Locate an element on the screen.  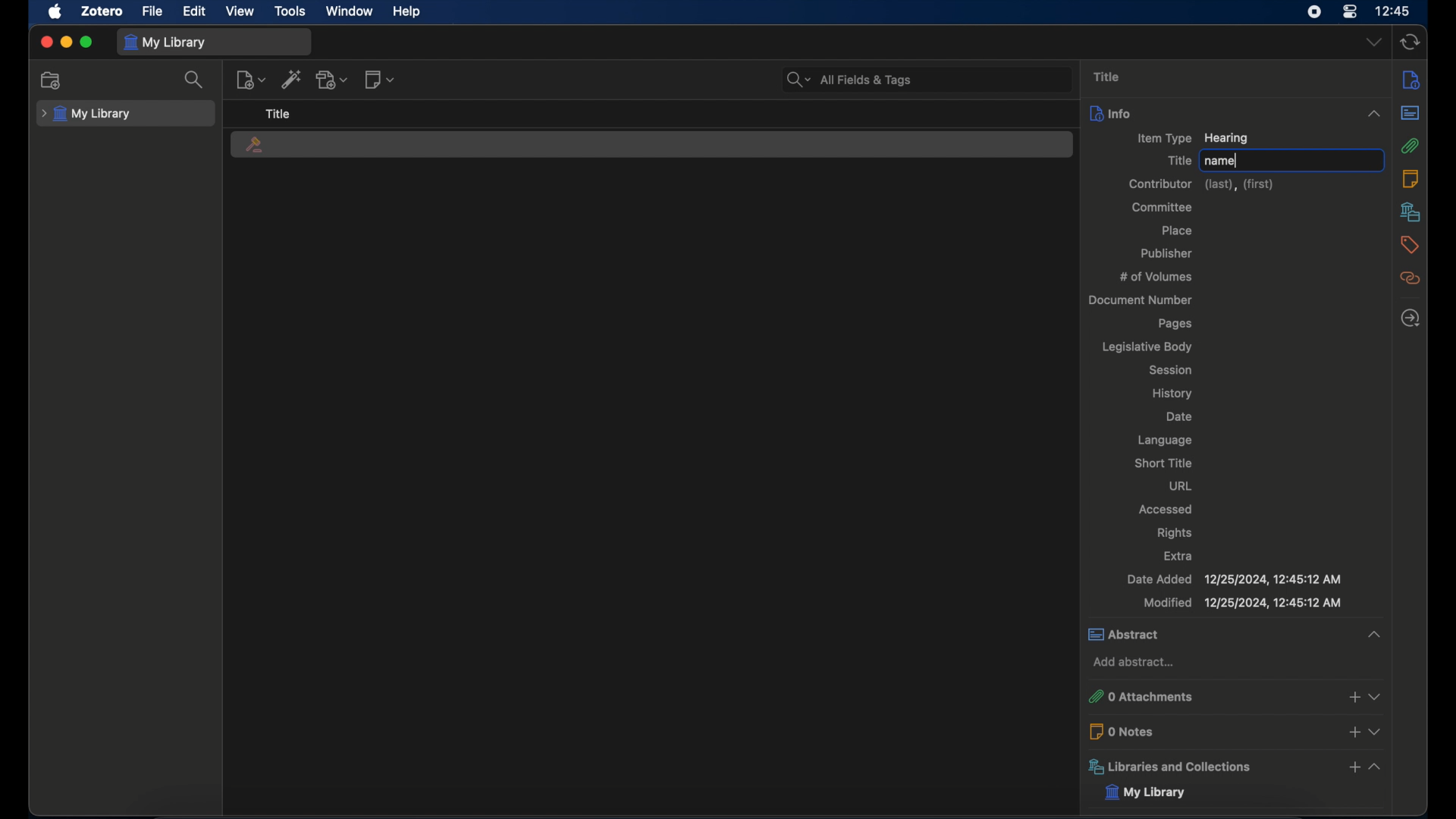
place is located at coordinates (1175, 231).